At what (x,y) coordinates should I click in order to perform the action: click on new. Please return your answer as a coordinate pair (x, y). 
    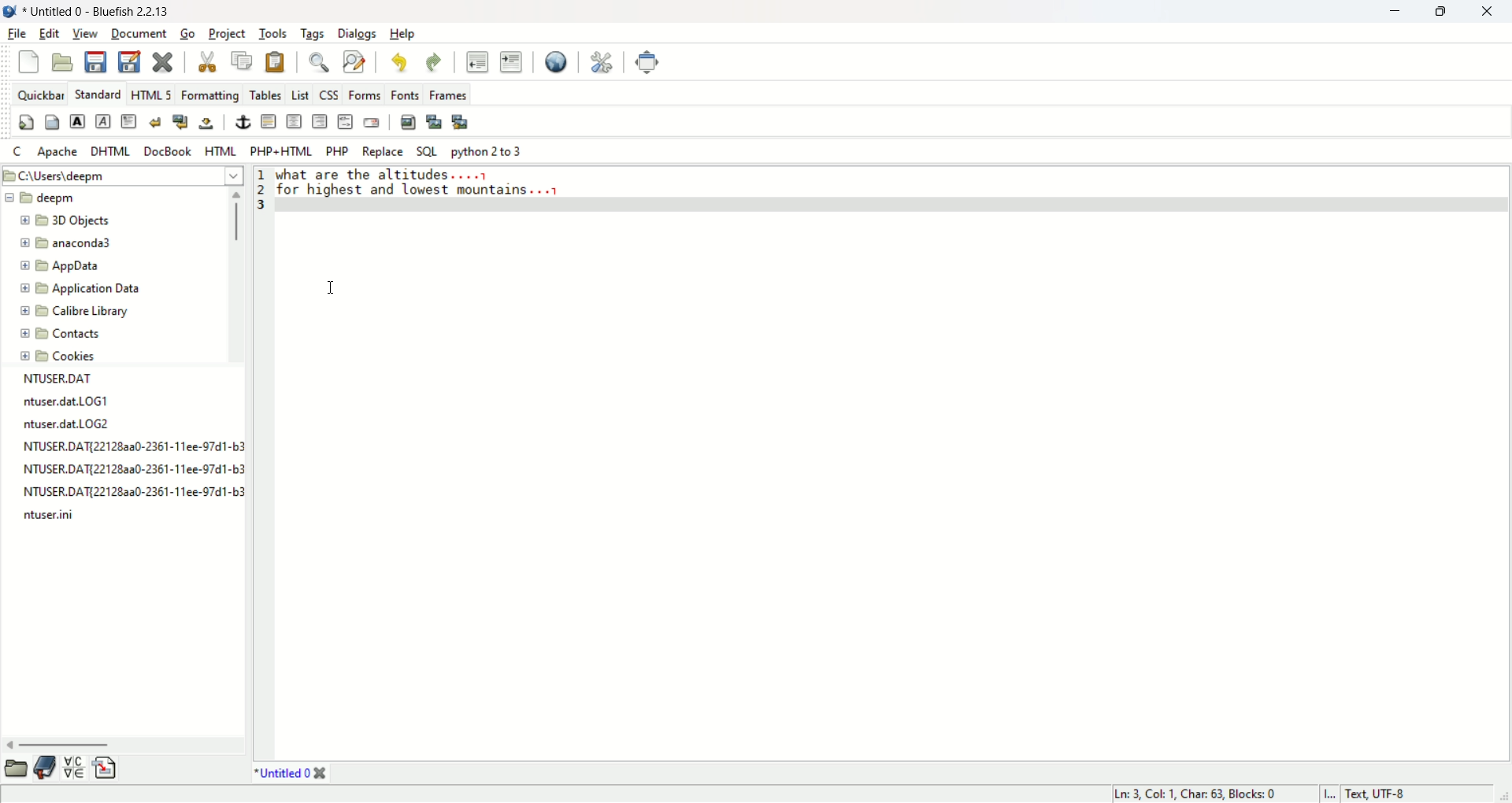
    Looking at the image, I should click on (29, 61).